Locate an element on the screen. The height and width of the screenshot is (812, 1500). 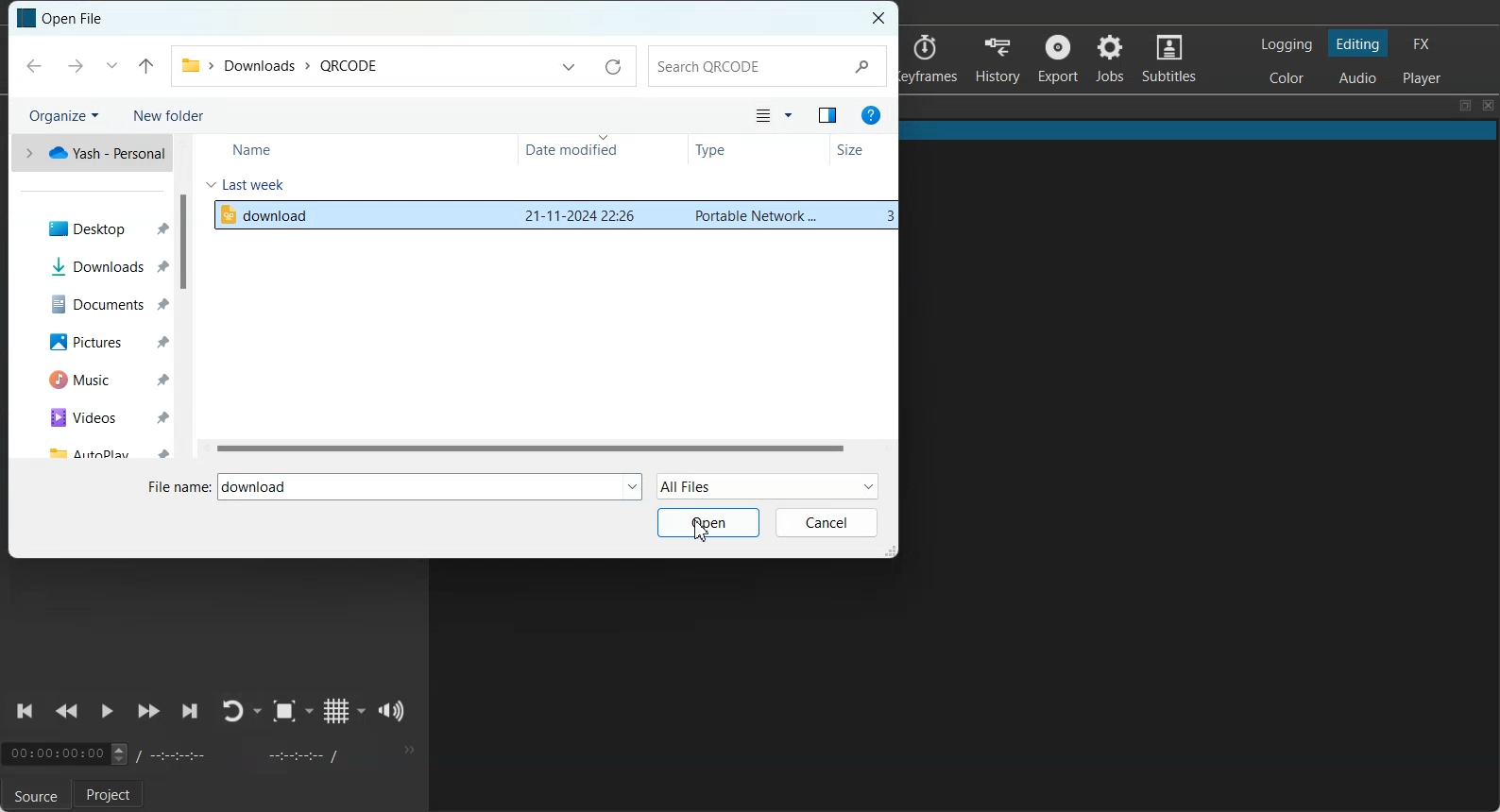
Drop down box is located at coordinates (362, 710).